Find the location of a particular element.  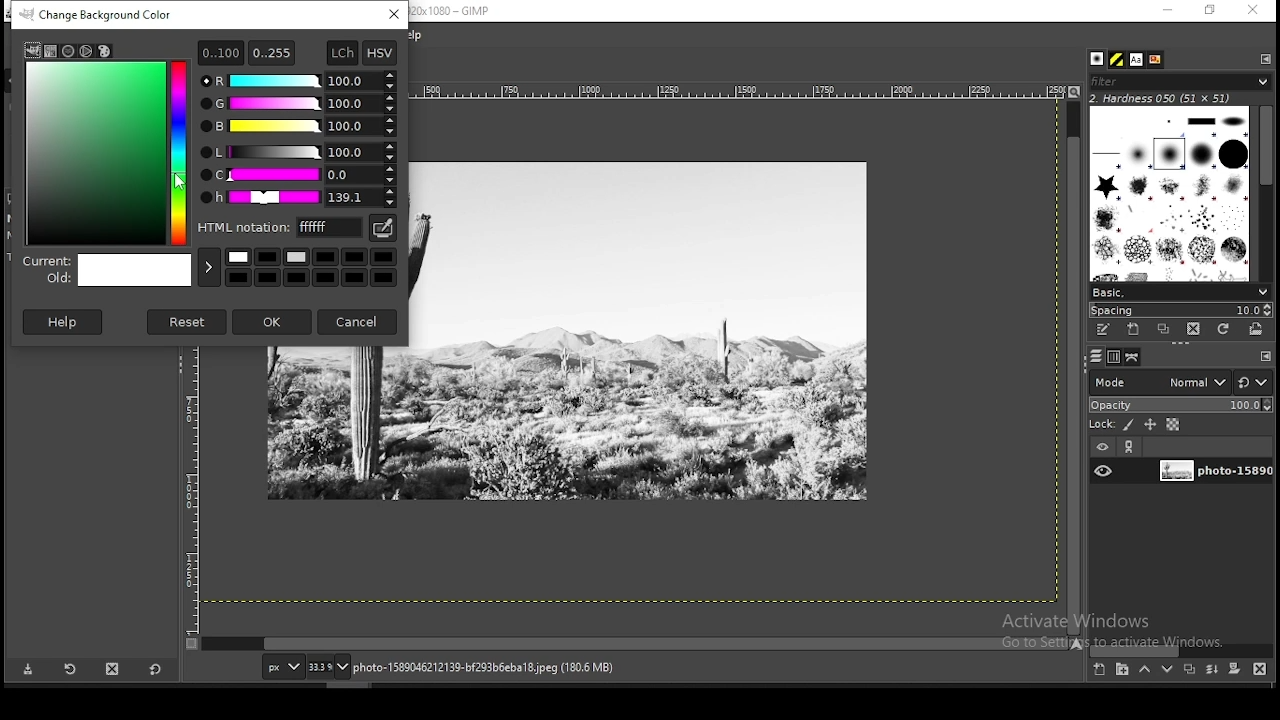

channels is located at coordinates (1116, 357).